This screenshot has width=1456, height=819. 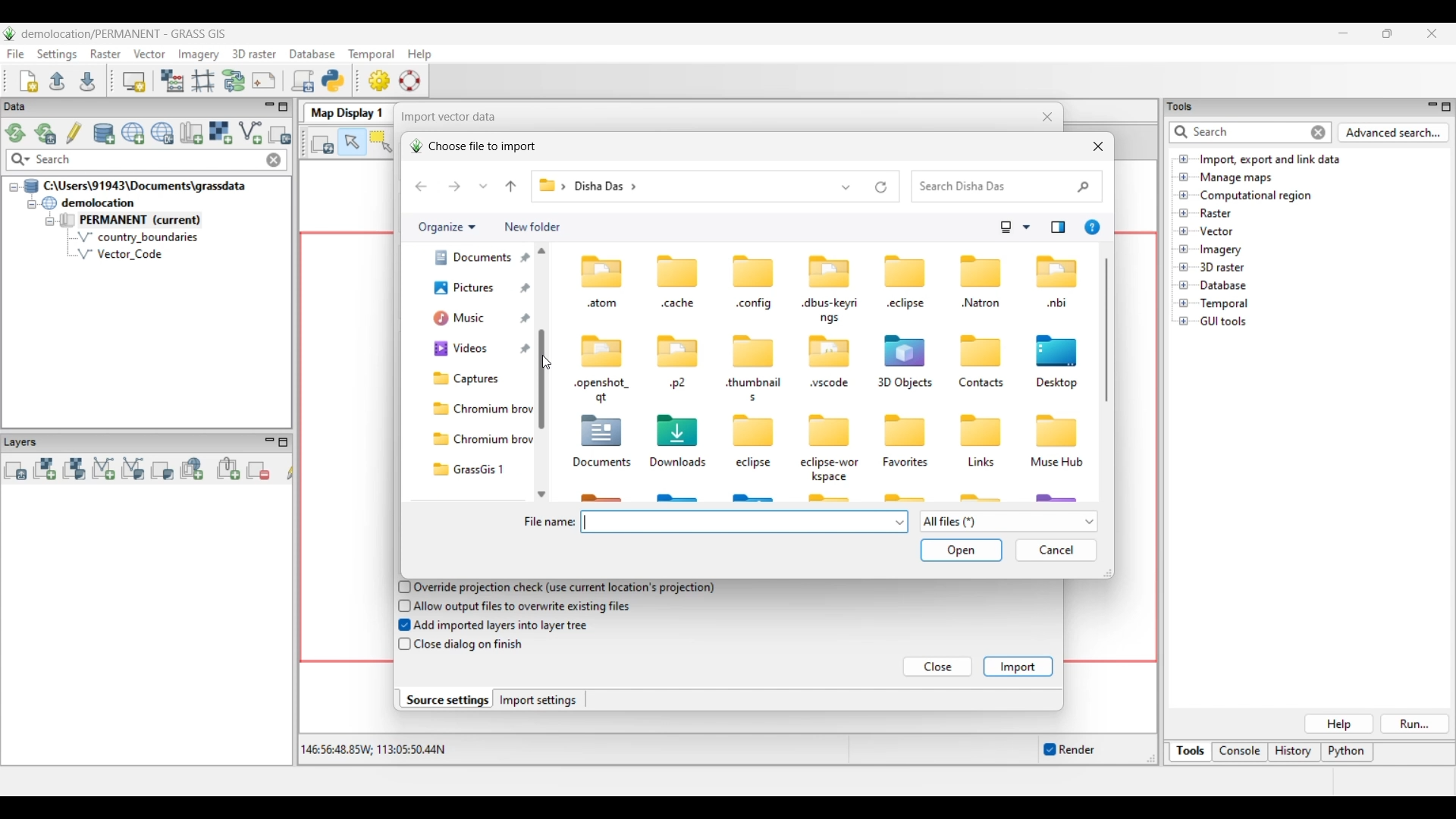 What do you see at coordinates (1430, 106) in the screenshot?
I see `Minimize Tools panel` at bounding box center [1430, 106].